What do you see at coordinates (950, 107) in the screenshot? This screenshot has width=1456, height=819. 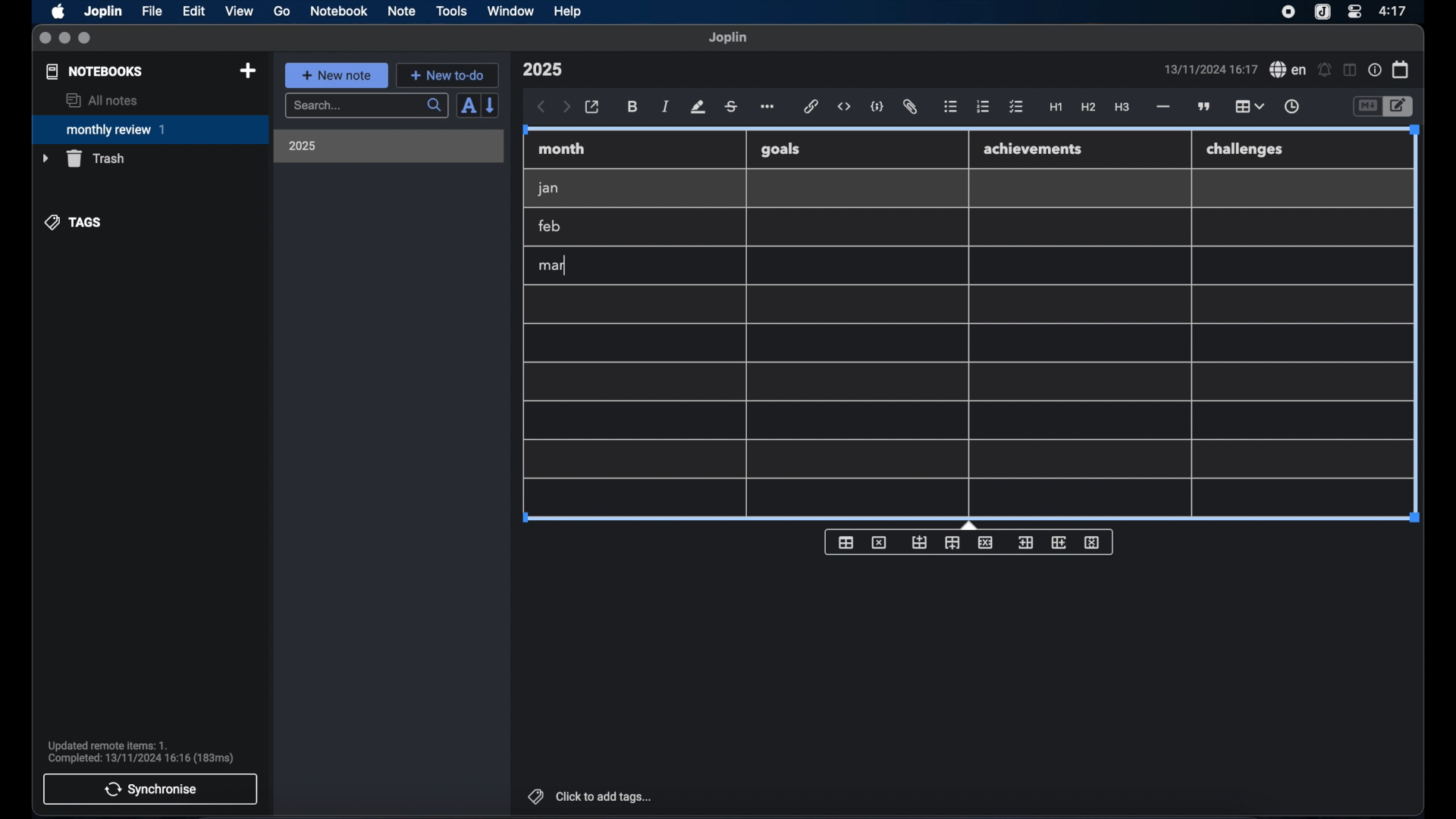 I see `bulleted list` at bounding box center [950, 107].